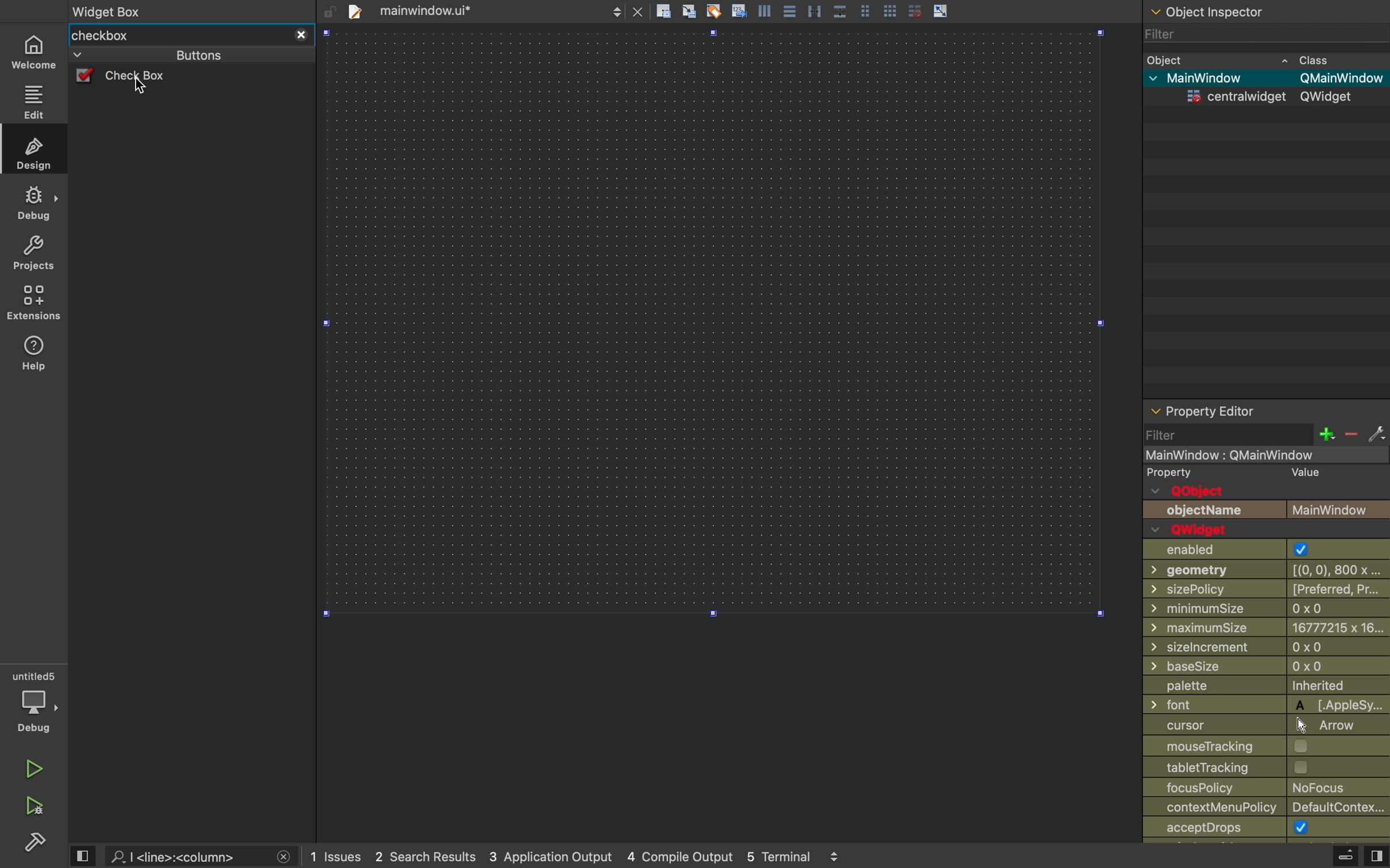  Describe the element at coordinates (1266, 647) in the screenshot. I see `size increment` at that location.